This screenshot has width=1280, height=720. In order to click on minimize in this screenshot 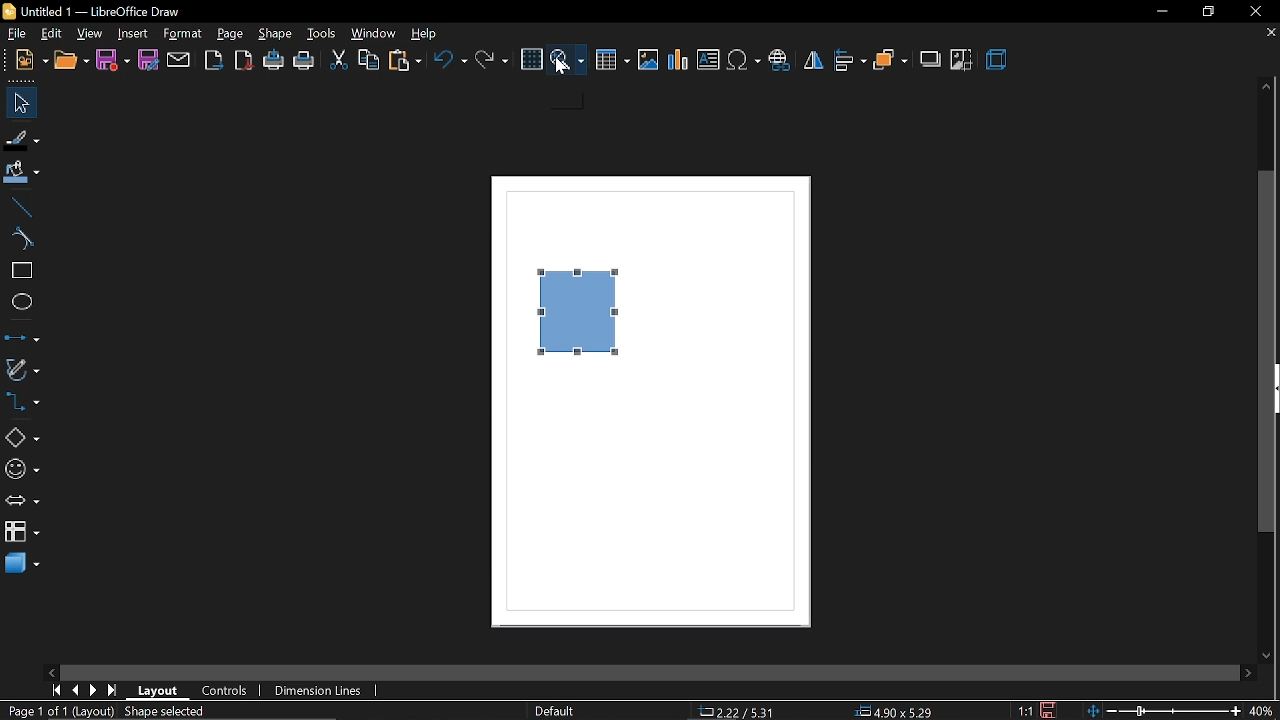, I will do `click(1161, 13)`.